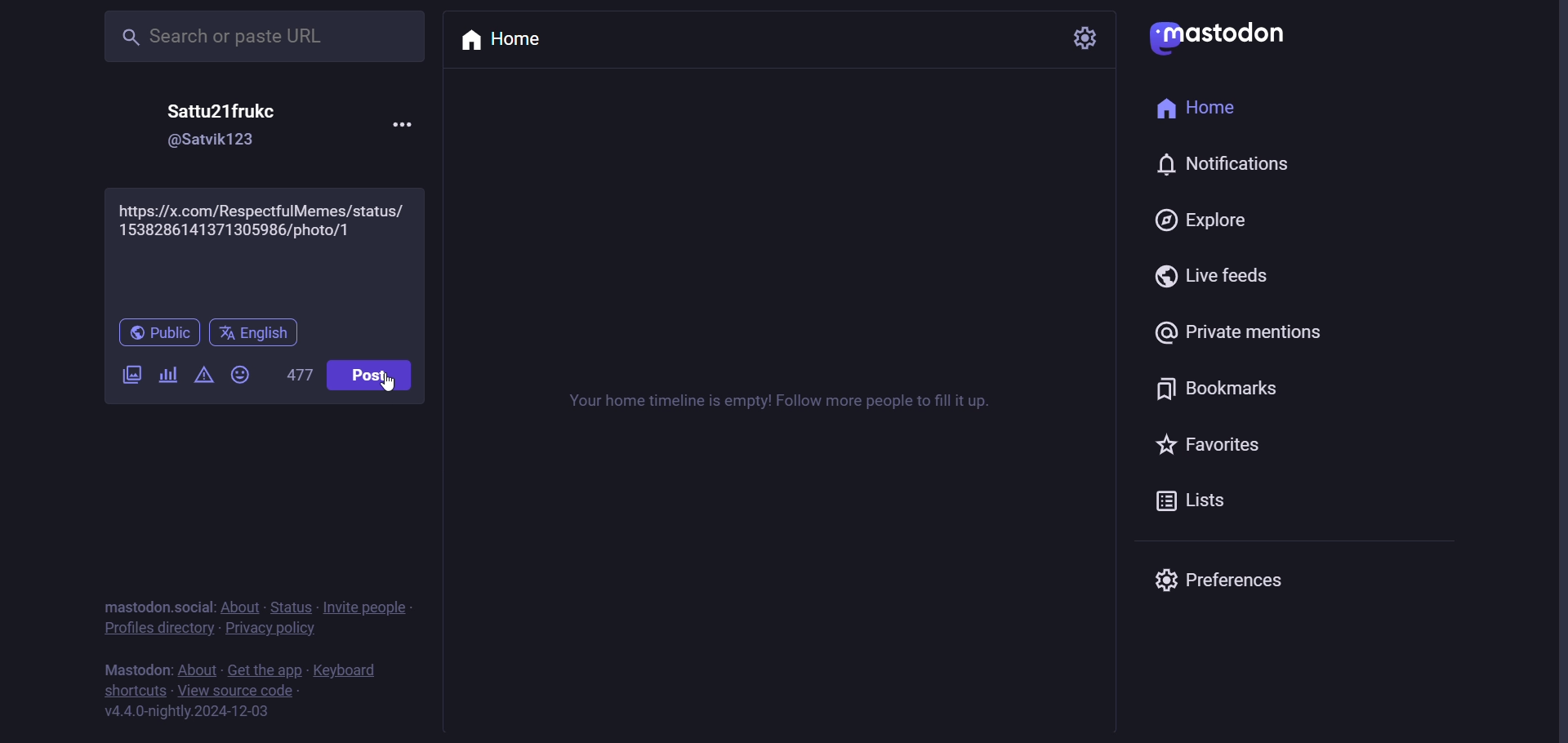 This screenshot has width=1568, height=743. Describe the element at coordinates (1223, 581) in the screenshot. I see `preferences` at that location.